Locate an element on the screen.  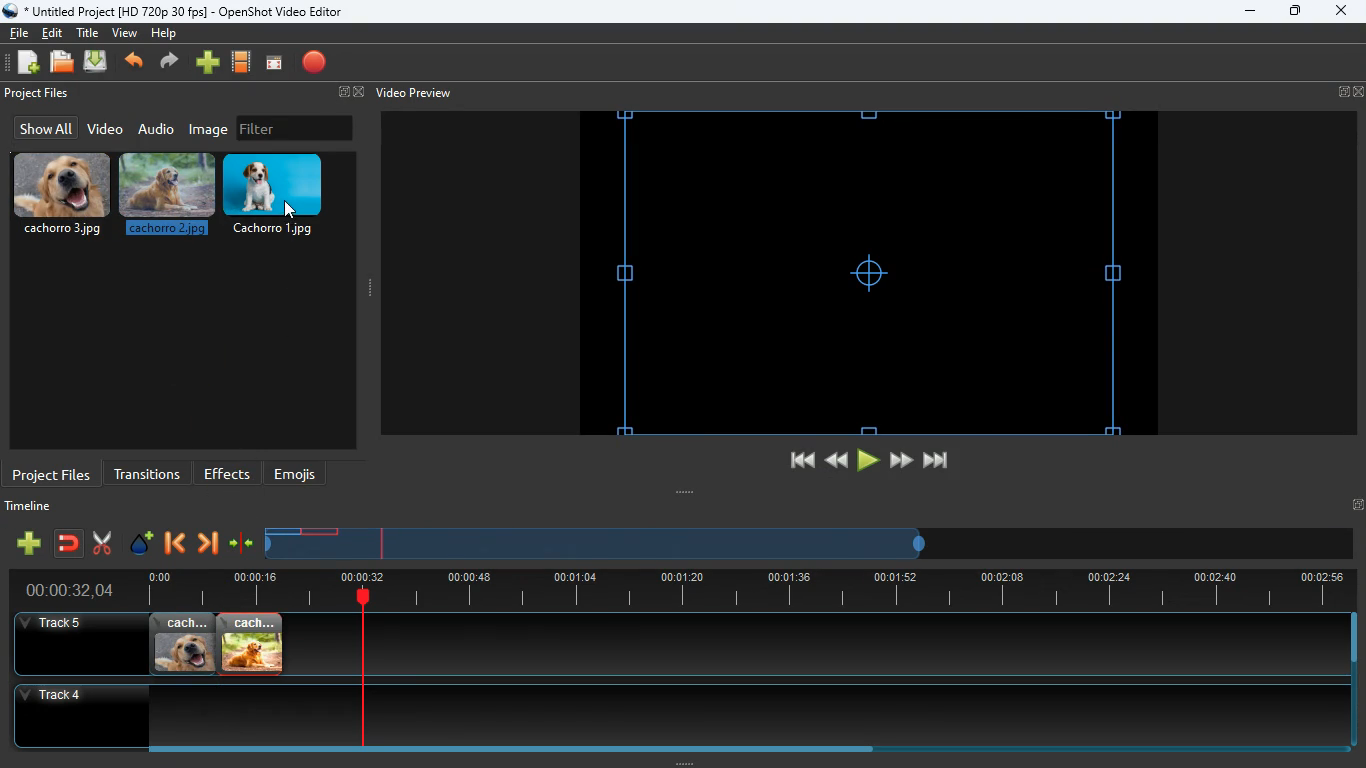
* Untitled Project [HD 720p 30 fps] - OpenShot Video Editor is located at coordinates (177, 11).